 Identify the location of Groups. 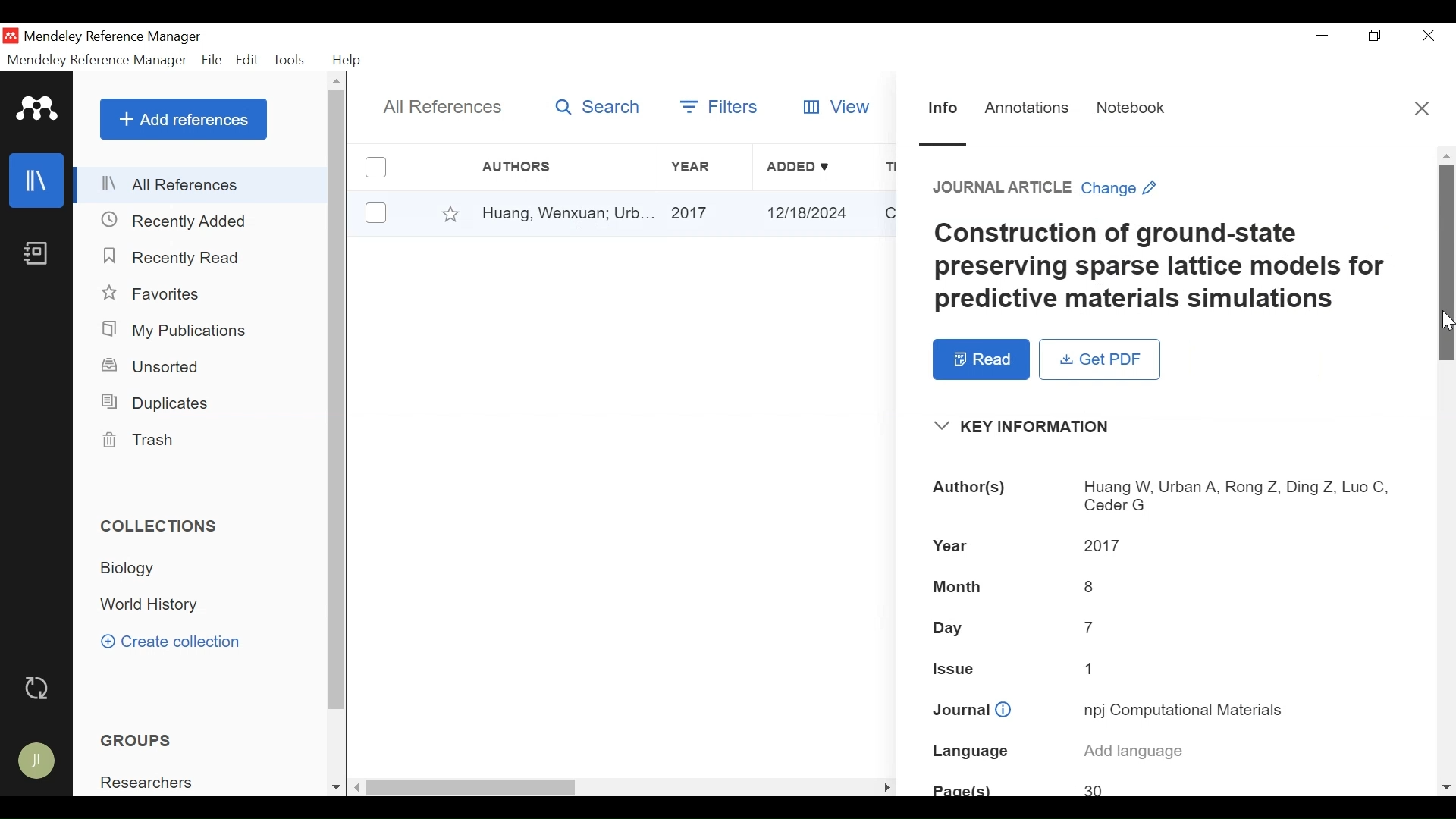
(136, 740).